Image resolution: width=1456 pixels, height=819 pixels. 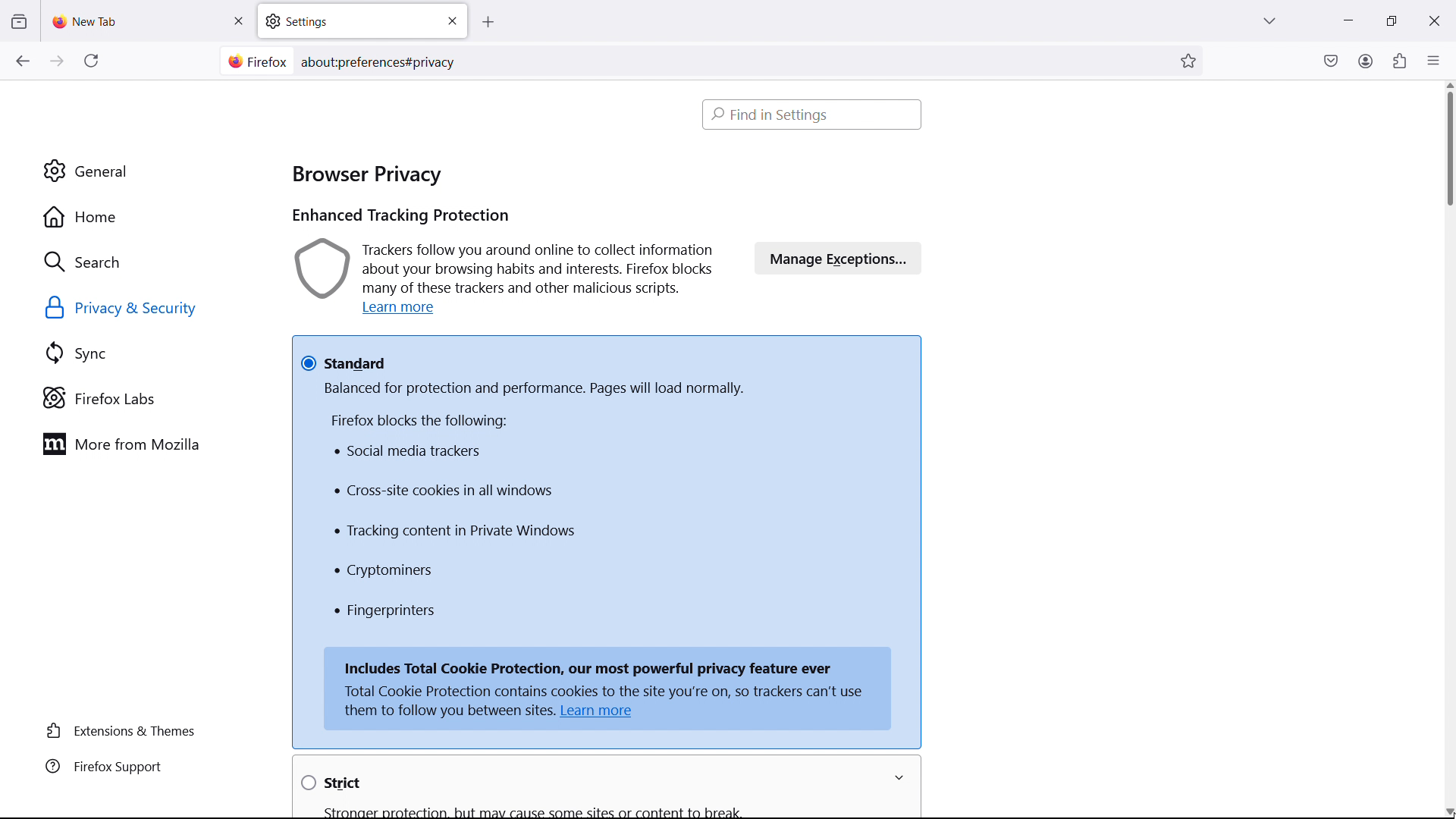 What do you see at coordinates (1365, 60) in the screenshot?
I see `account` at bounding box center [1365, 60].